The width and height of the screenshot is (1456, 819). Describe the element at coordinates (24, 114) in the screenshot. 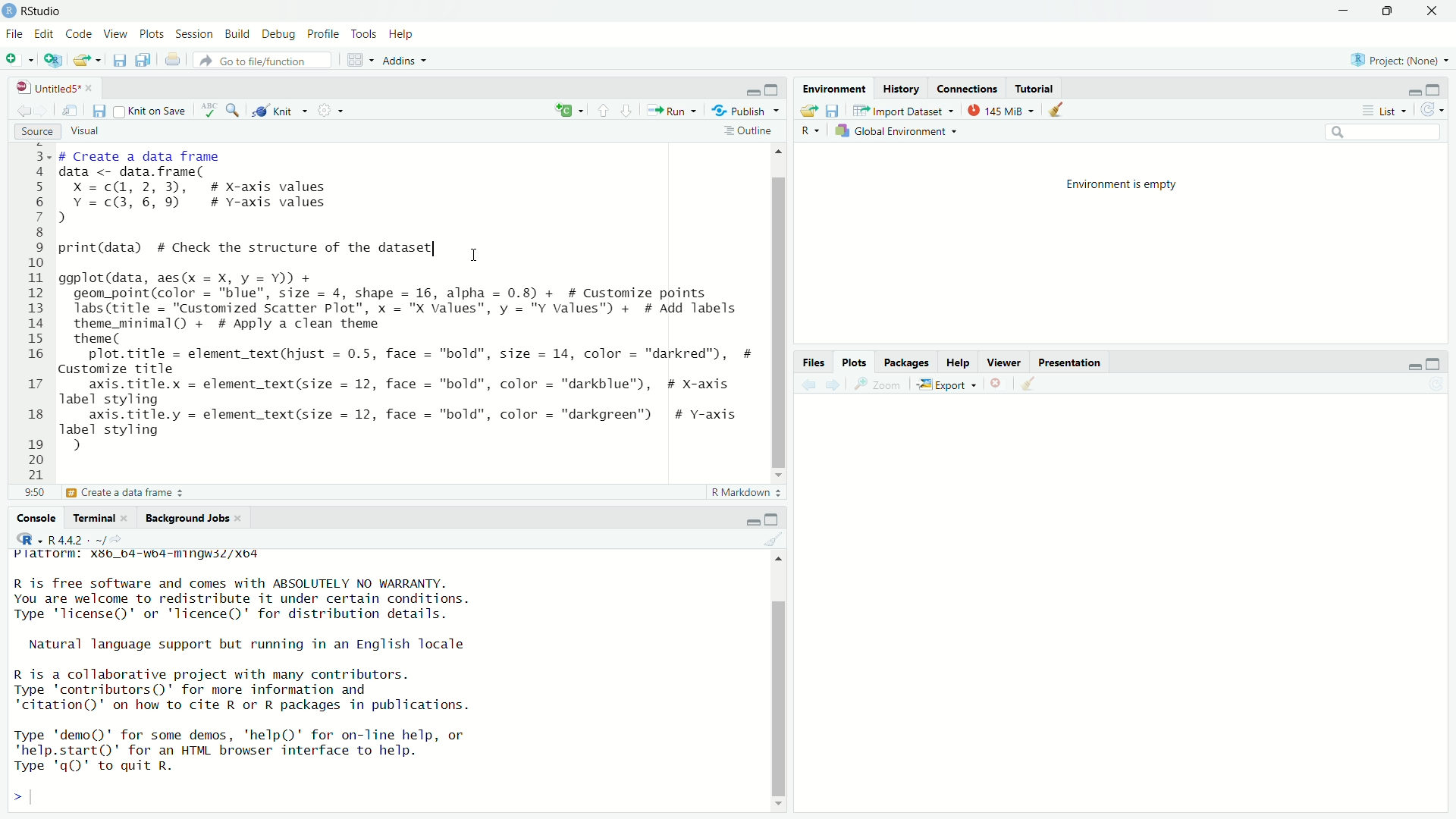

I see `Go back to the previous source location` at that location.